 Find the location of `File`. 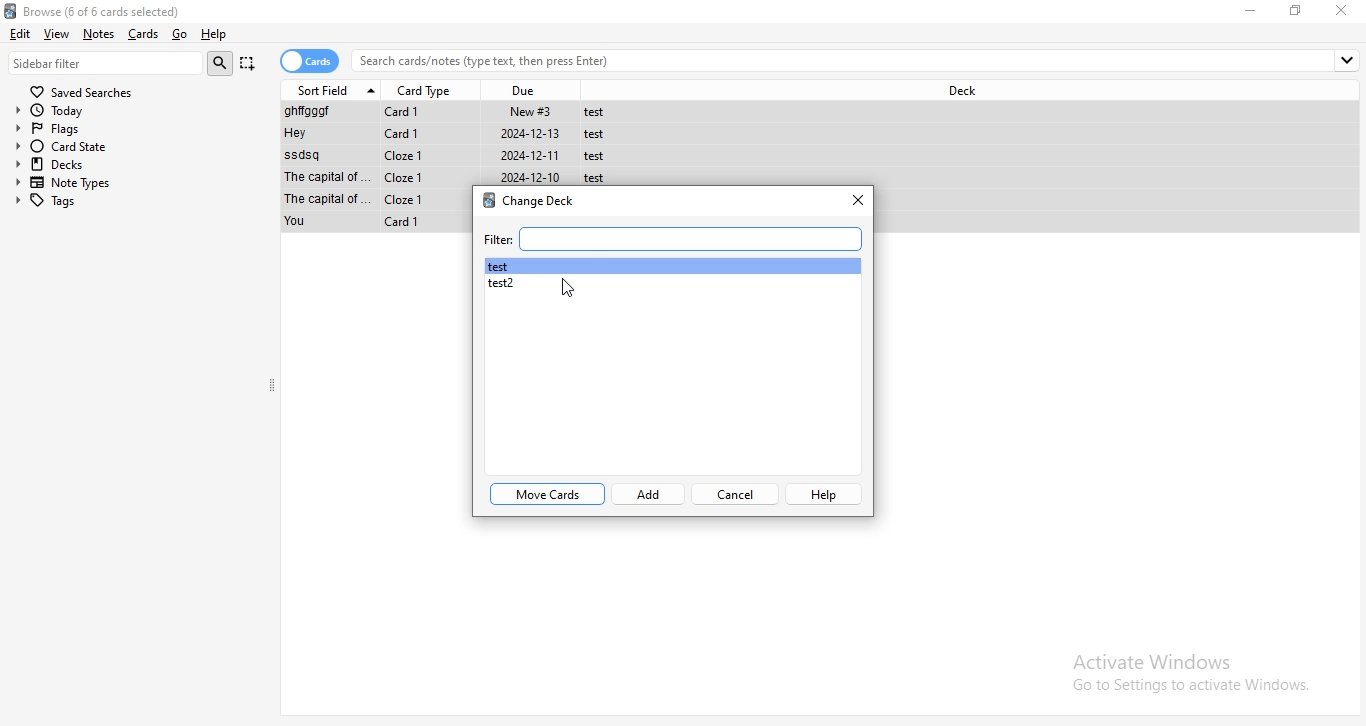

File is located at coordinates (455, 135).